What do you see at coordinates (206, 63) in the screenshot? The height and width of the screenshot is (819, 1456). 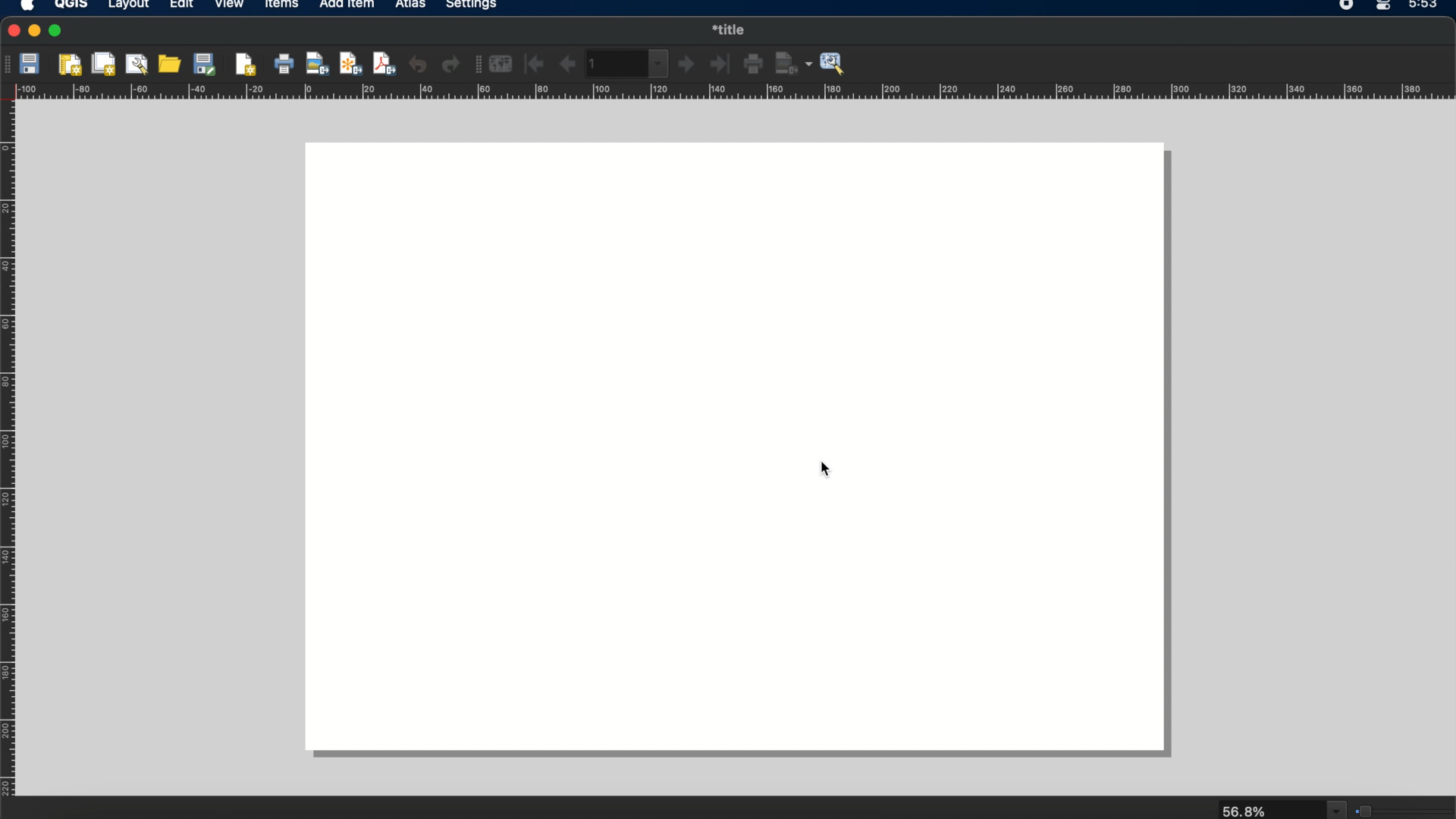 I see `save as template` at bounding box center [206, 63].